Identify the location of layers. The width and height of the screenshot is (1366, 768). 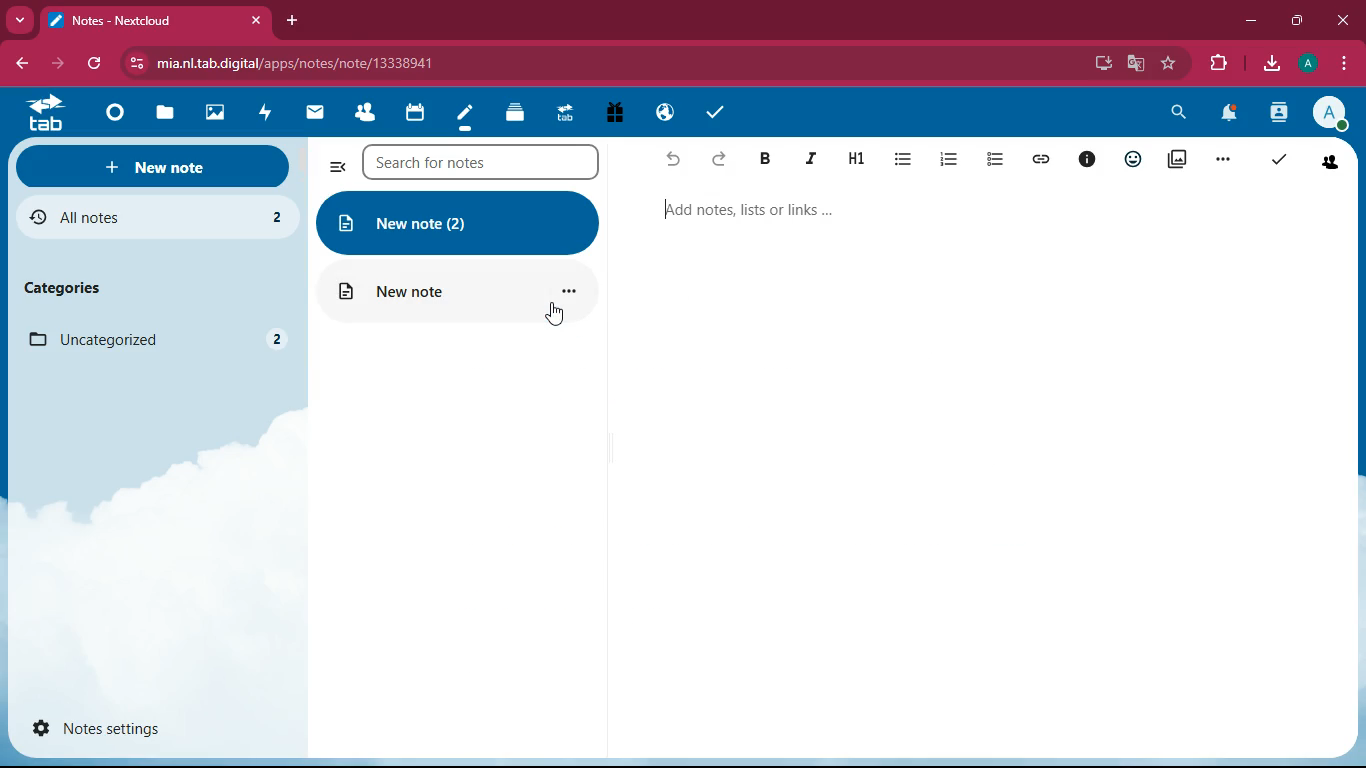
(517, 114).